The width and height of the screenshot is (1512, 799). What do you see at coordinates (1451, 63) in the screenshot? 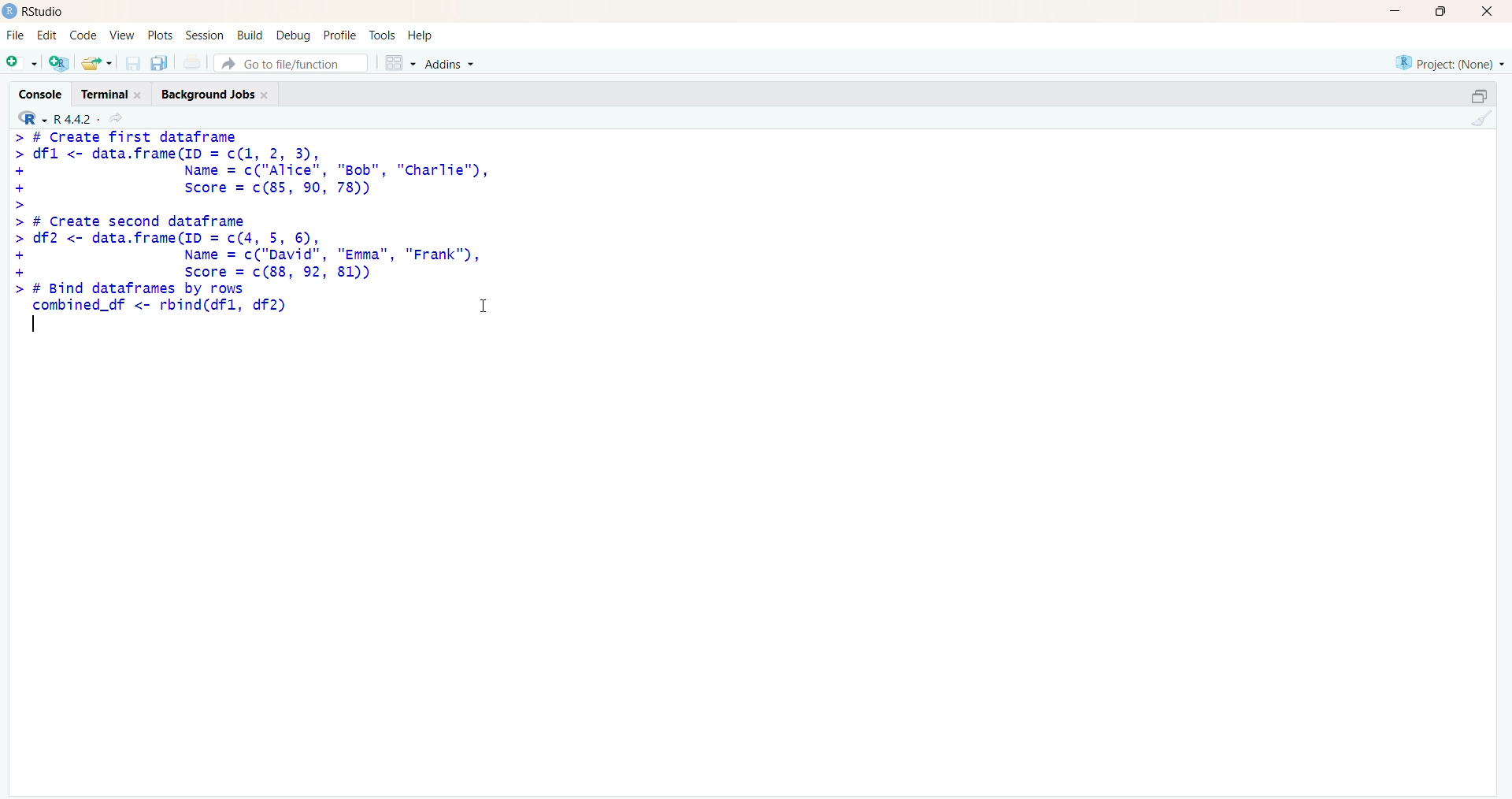
I see `Project: (None)` at bounding box center [1451, 63].